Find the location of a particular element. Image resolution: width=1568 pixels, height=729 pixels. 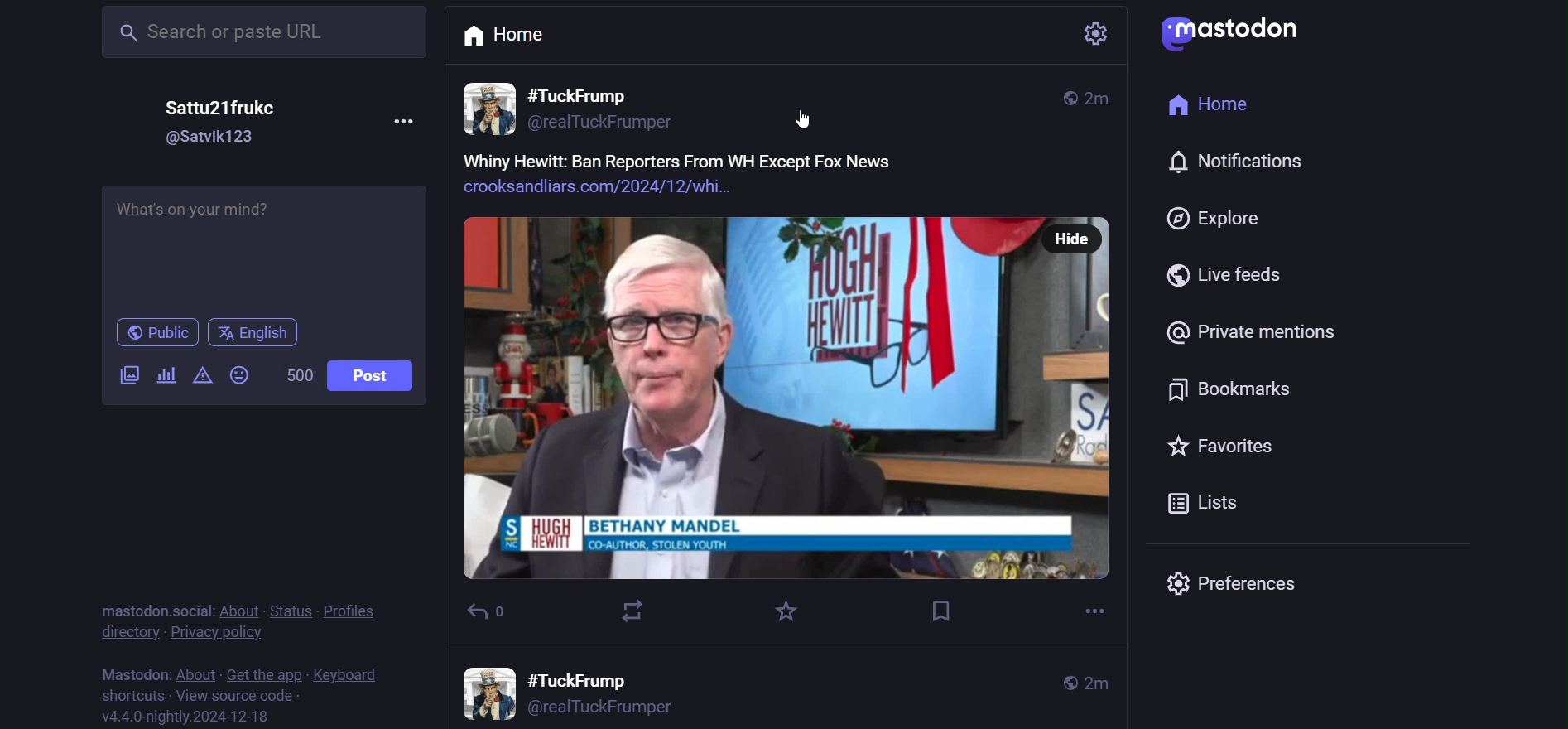

home is located at coordinates (1215, 107).